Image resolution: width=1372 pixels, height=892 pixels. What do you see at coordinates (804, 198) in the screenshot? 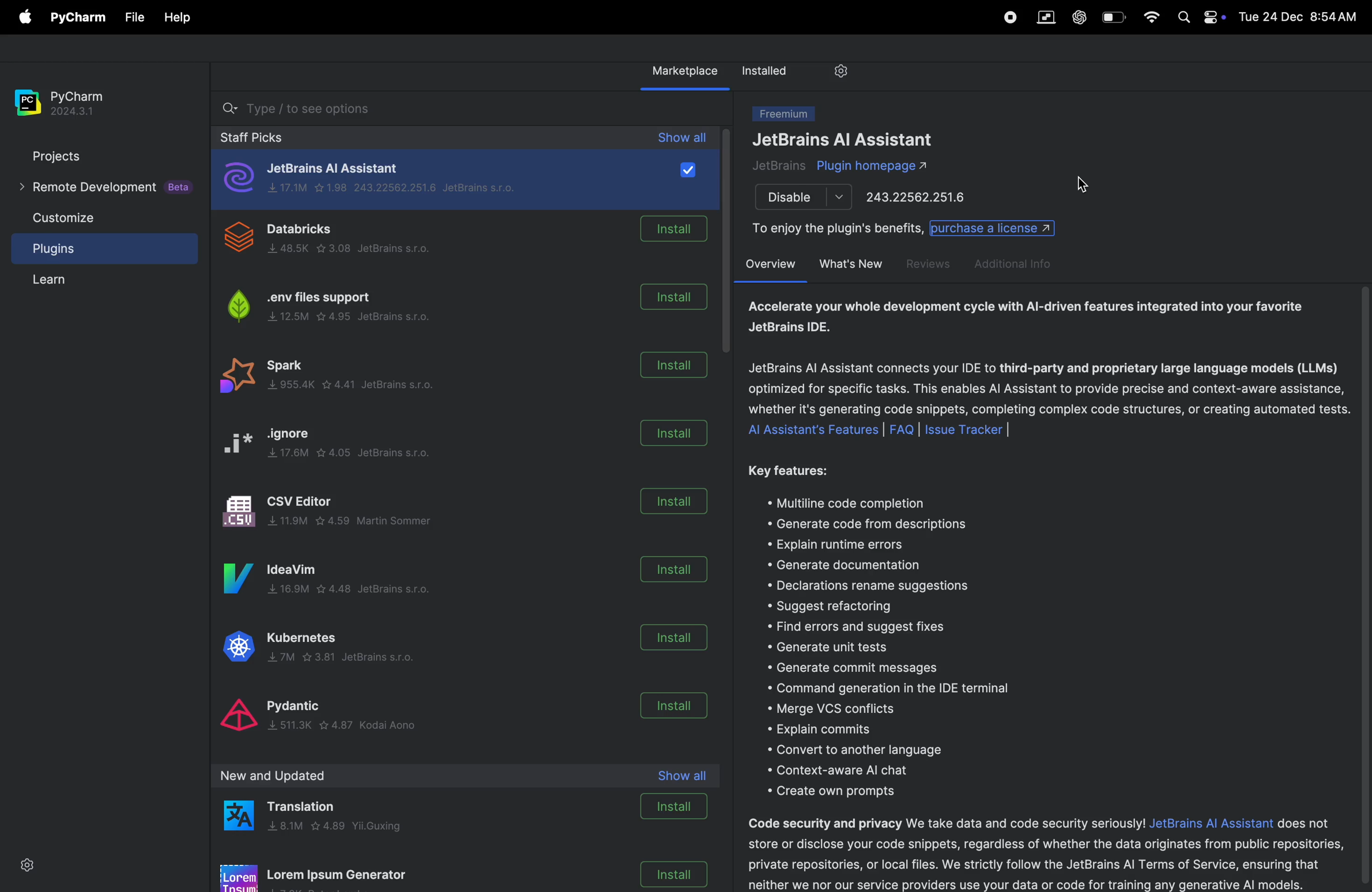
I see `disable` at bounding box center [804, 198].